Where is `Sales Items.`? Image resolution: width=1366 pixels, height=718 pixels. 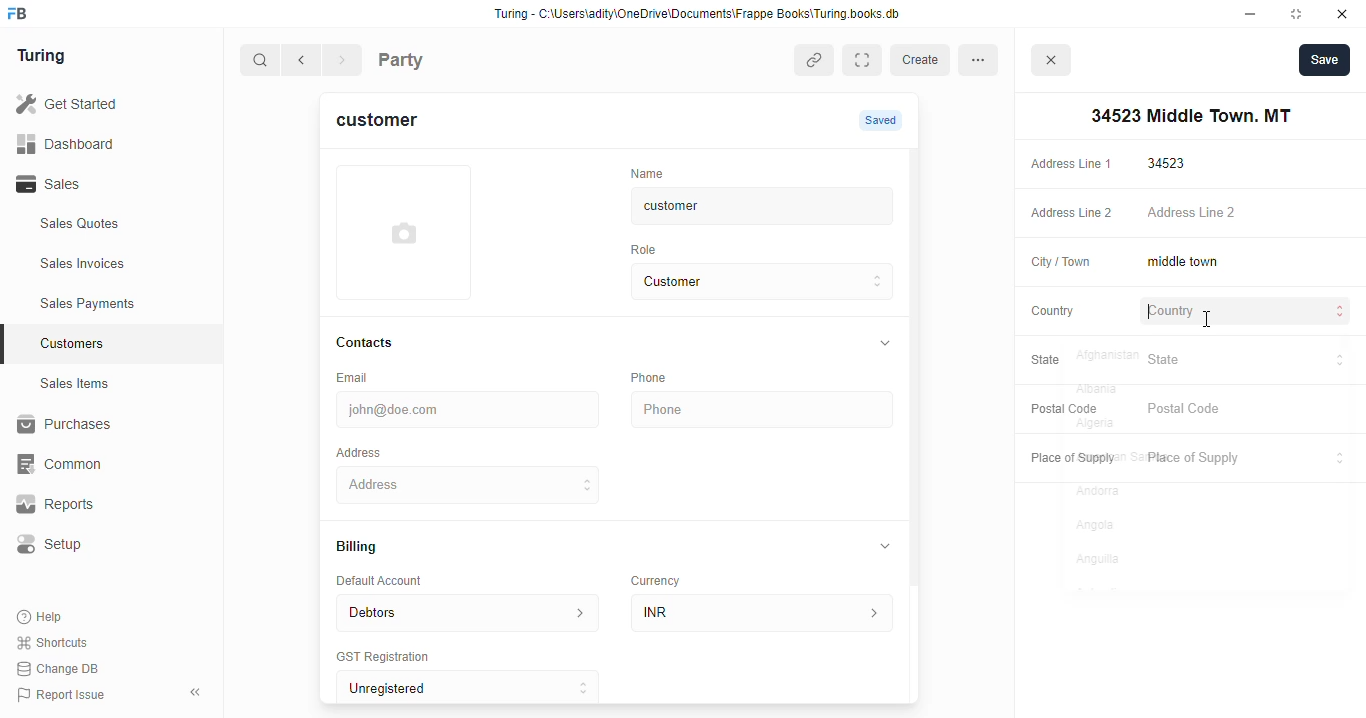 Sales Items. is located at coordinates (111, 384).